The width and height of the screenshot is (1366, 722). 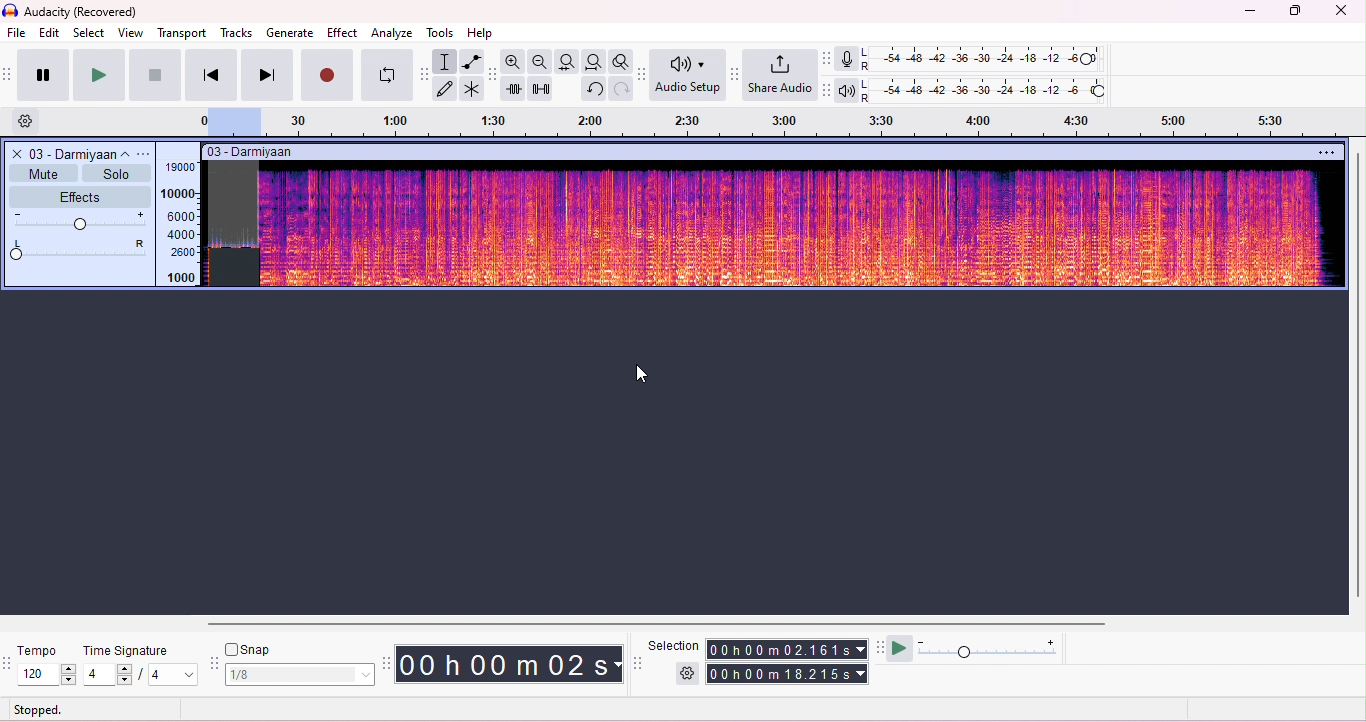 What do you see at coordinates (846, 59) in the screenshot?
I see `record meter ` at bounding box center [846, 59].